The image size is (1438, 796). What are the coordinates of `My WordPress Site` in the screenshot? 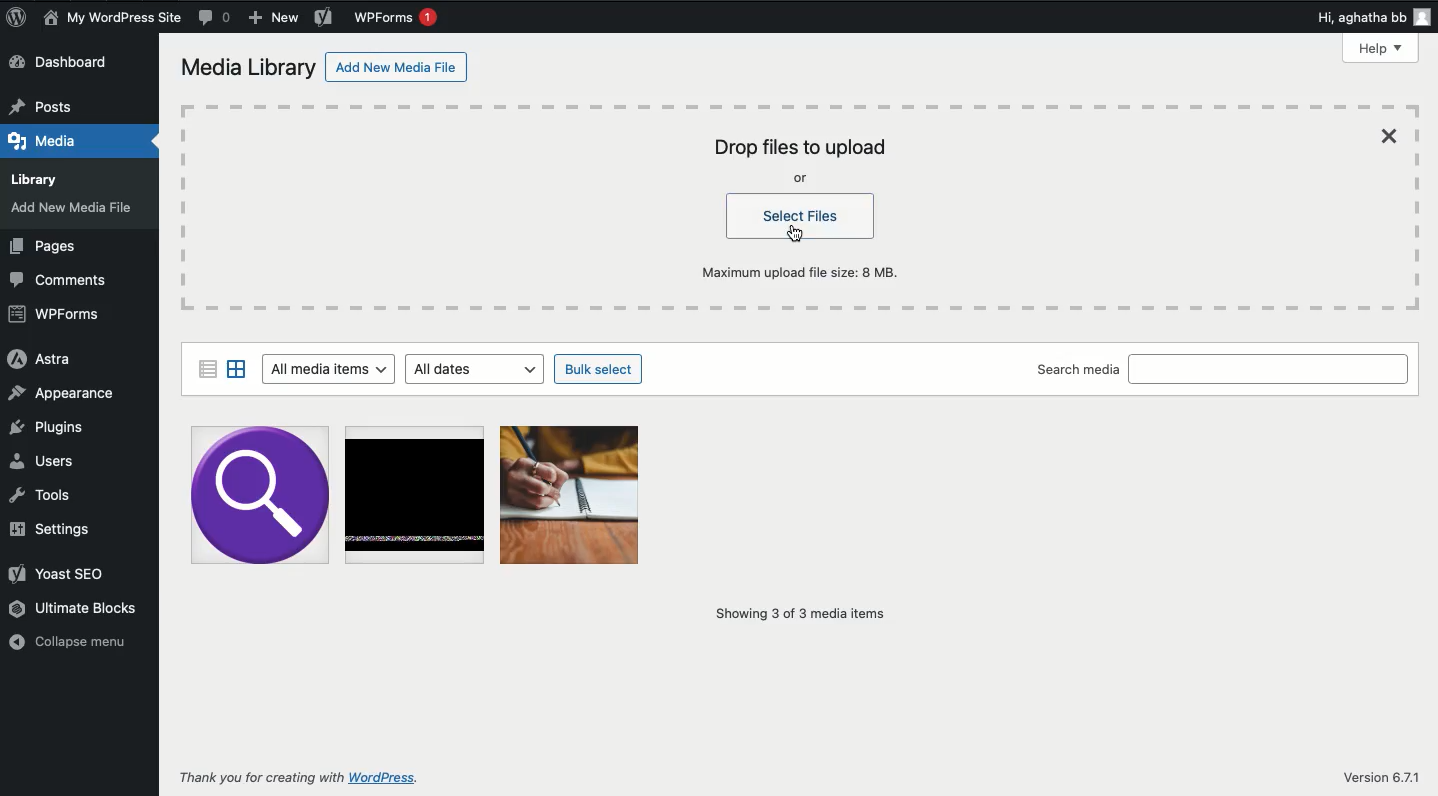 It's located at (112, 19).